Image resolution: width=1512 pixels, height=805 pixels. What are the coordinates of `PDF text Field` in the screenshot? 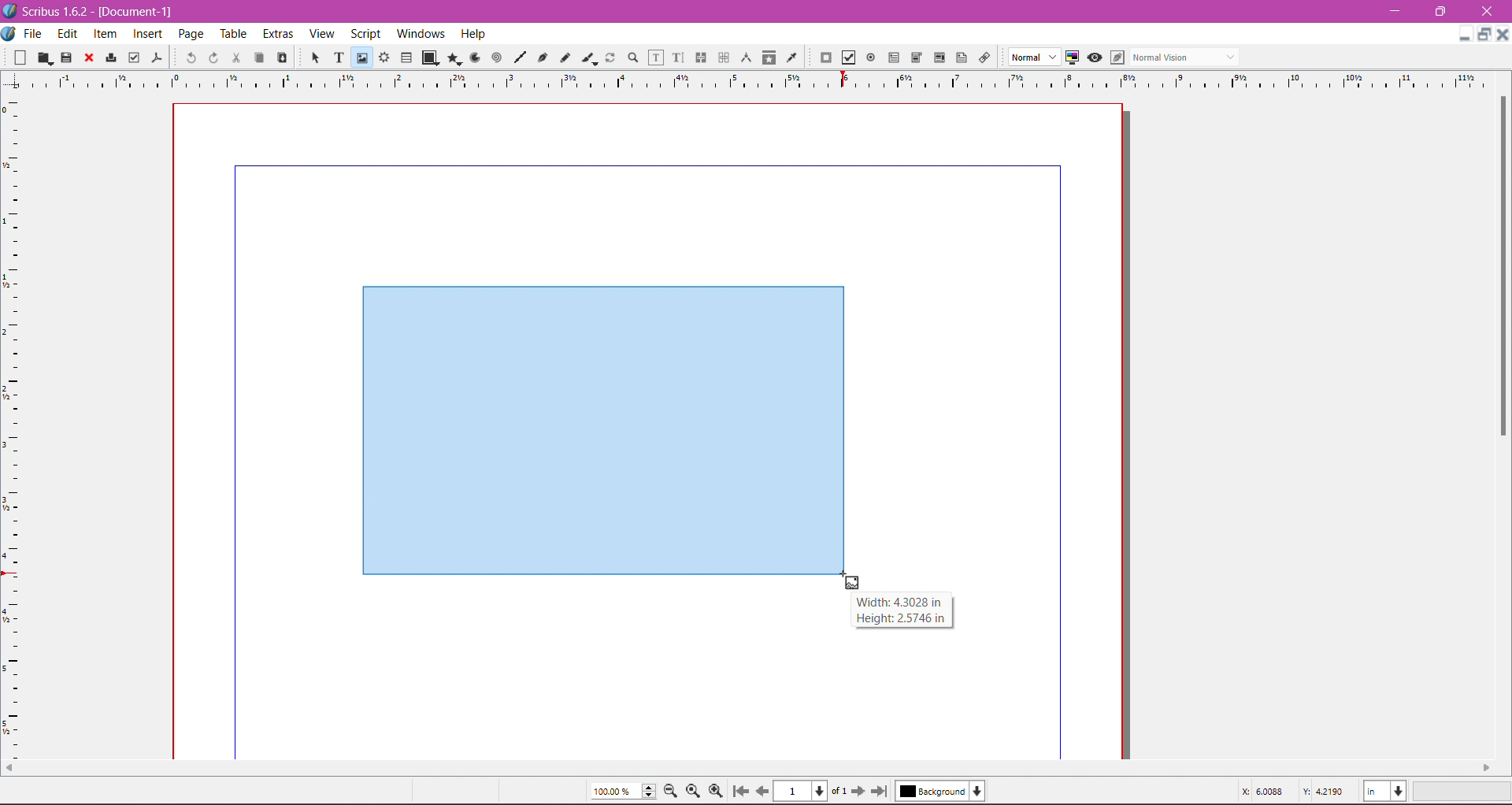 It's located at (894, 57).